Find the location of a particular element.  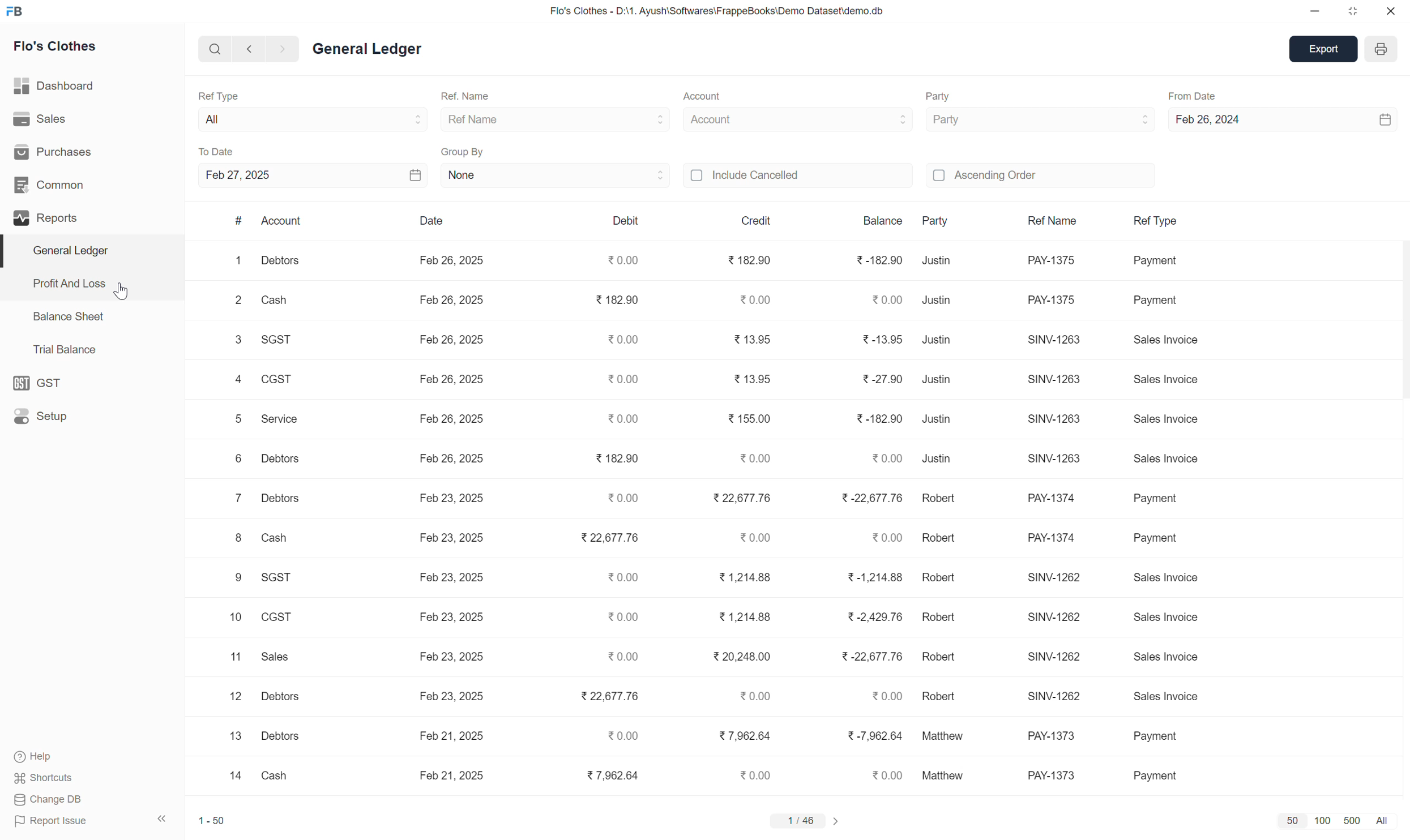

₹0.00 is located at coordinates (622, 658).